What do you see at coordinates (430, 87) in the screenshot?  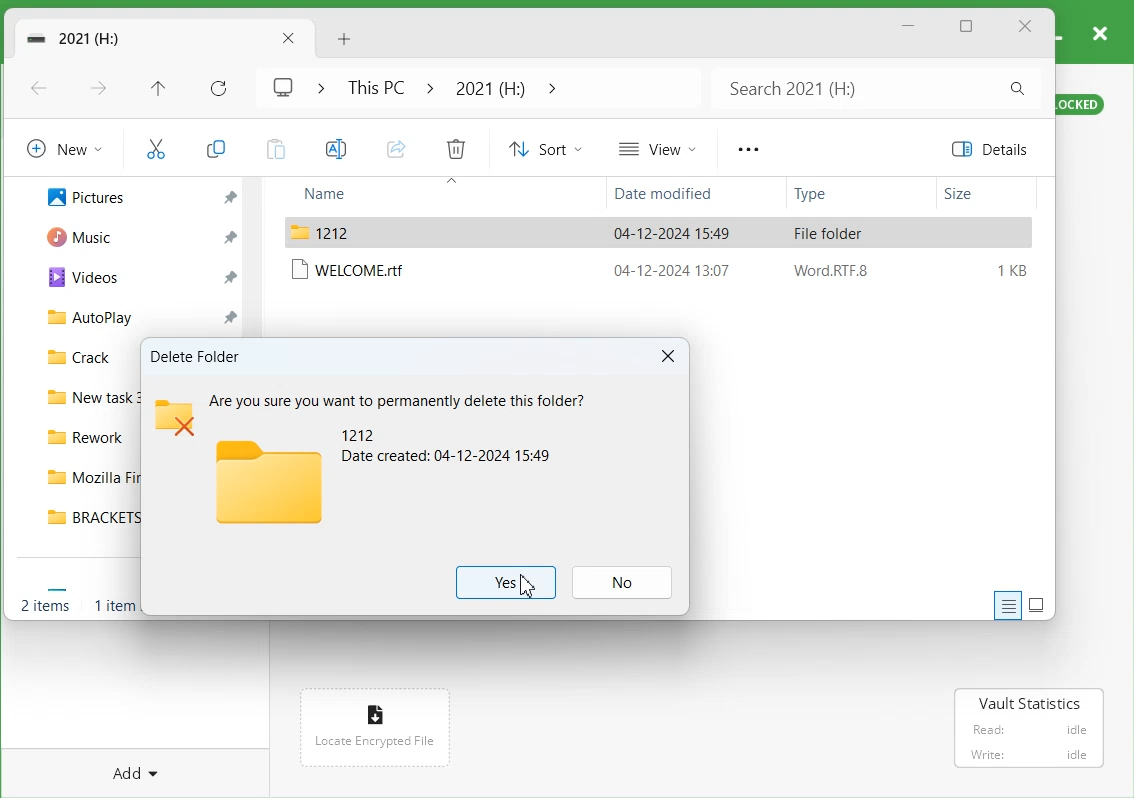 I see `Drop down box` at bounding box center [430, 87].